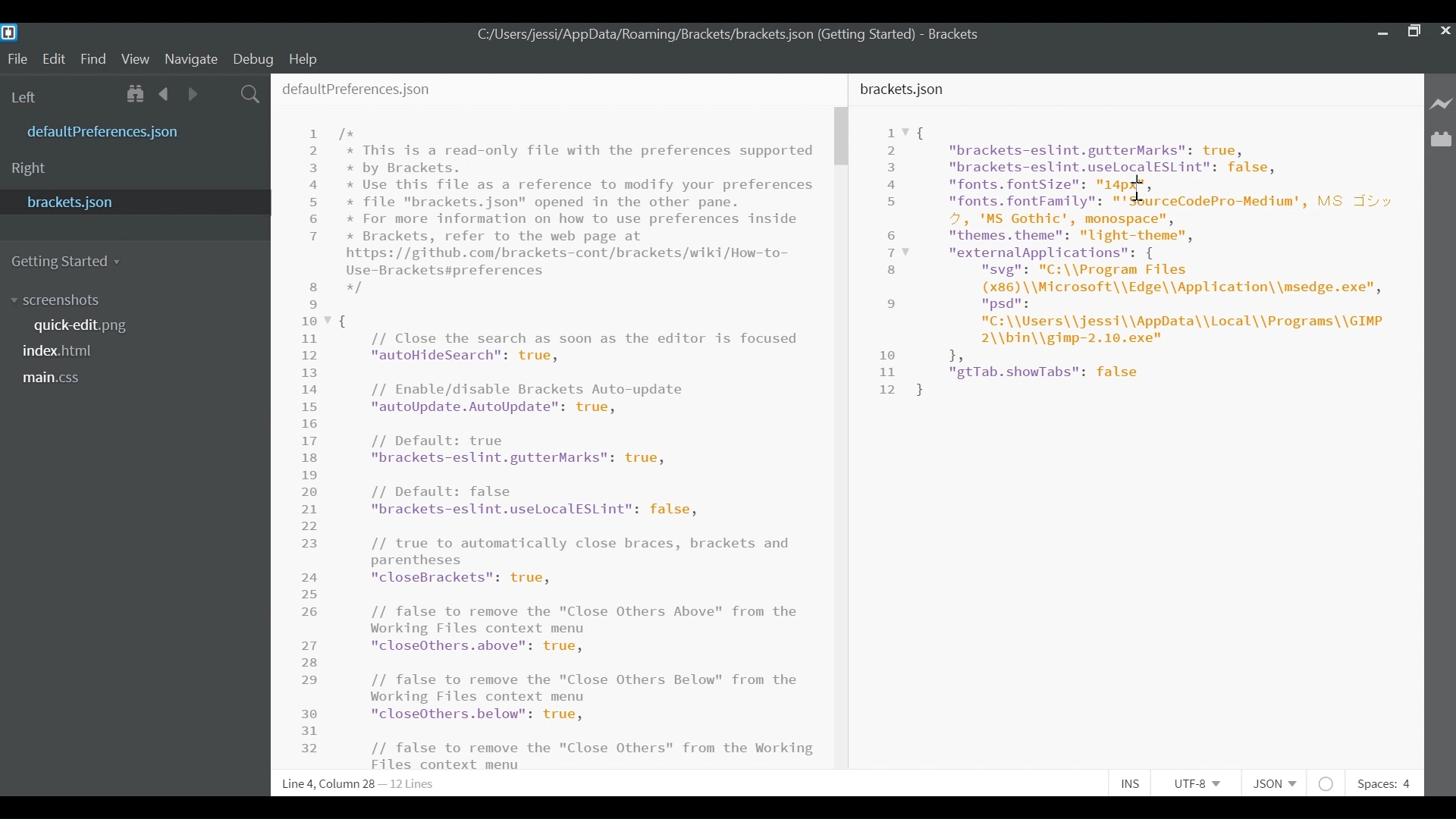 This screenshot has height=819, width=1456. What do you see at coordinates (190, 60) in the screenshot?
I see `Navigate` at bounding box center [190, 60].